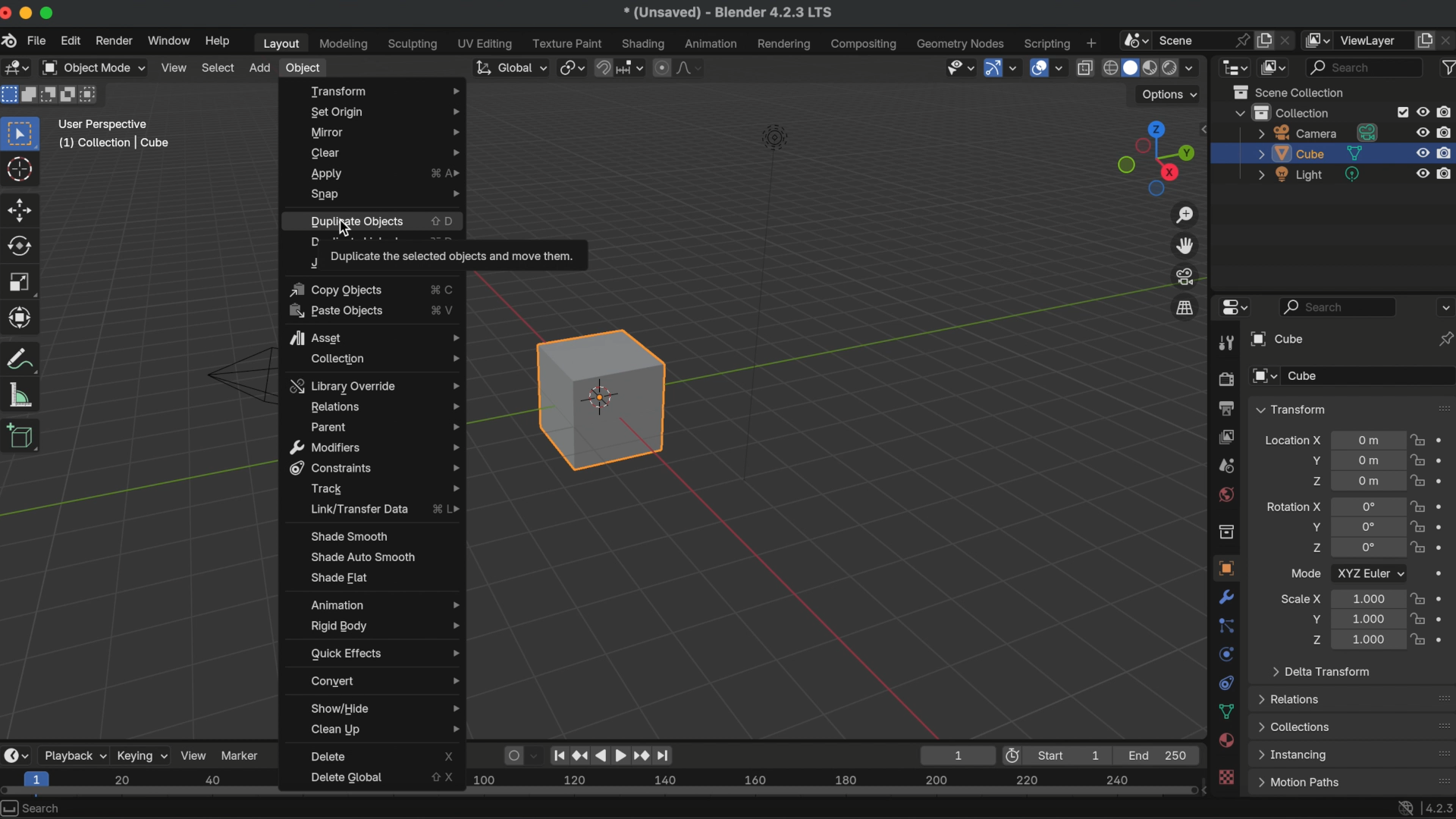  I want to click on scale, so click(23, 317).